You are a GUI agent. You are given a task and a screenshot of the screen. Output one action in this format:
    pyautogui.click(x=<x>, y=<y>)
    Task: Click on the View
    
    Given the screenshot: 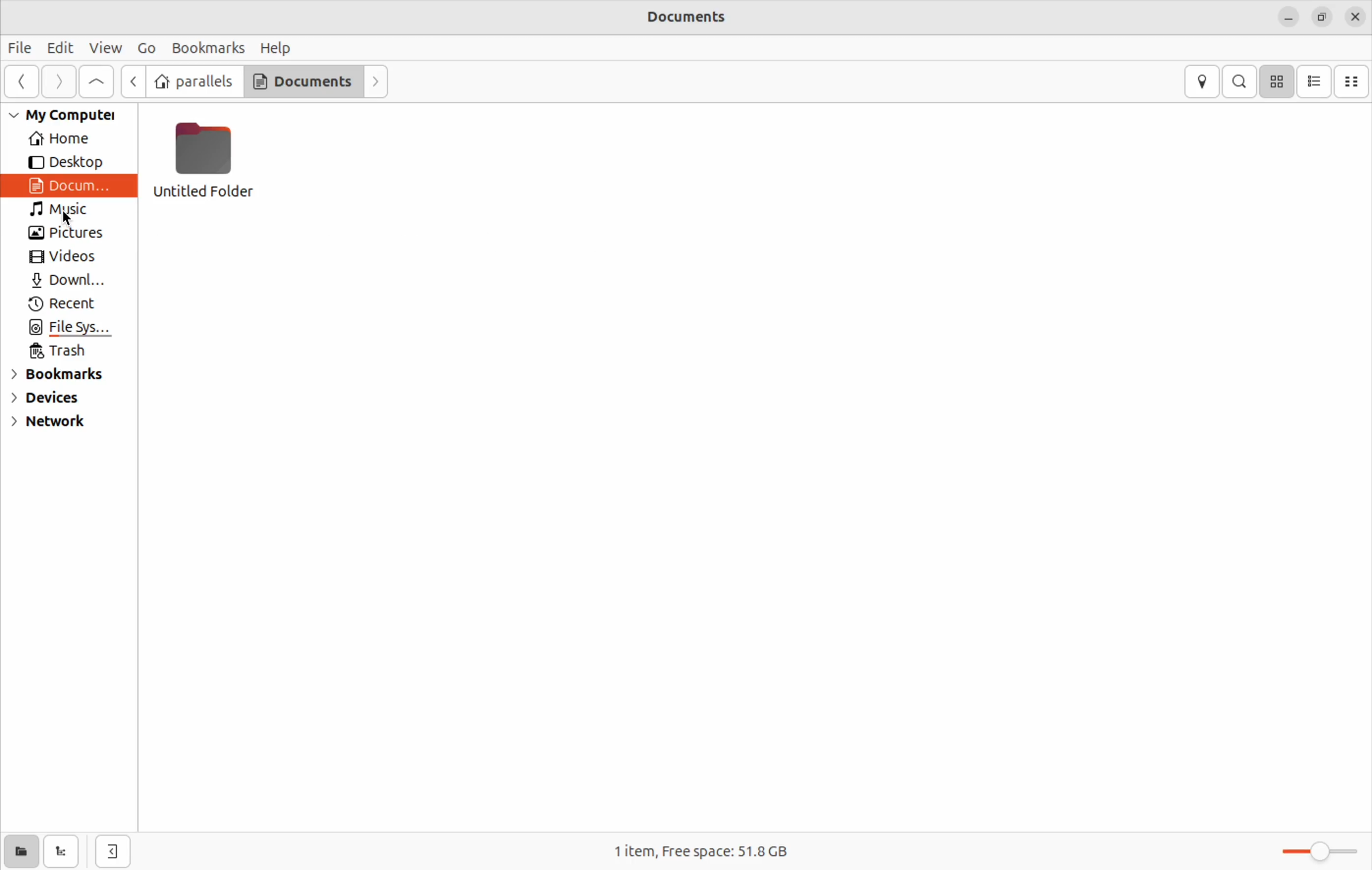 What is the action you would take?
    pyautogui.click(x=104, y=48)
    